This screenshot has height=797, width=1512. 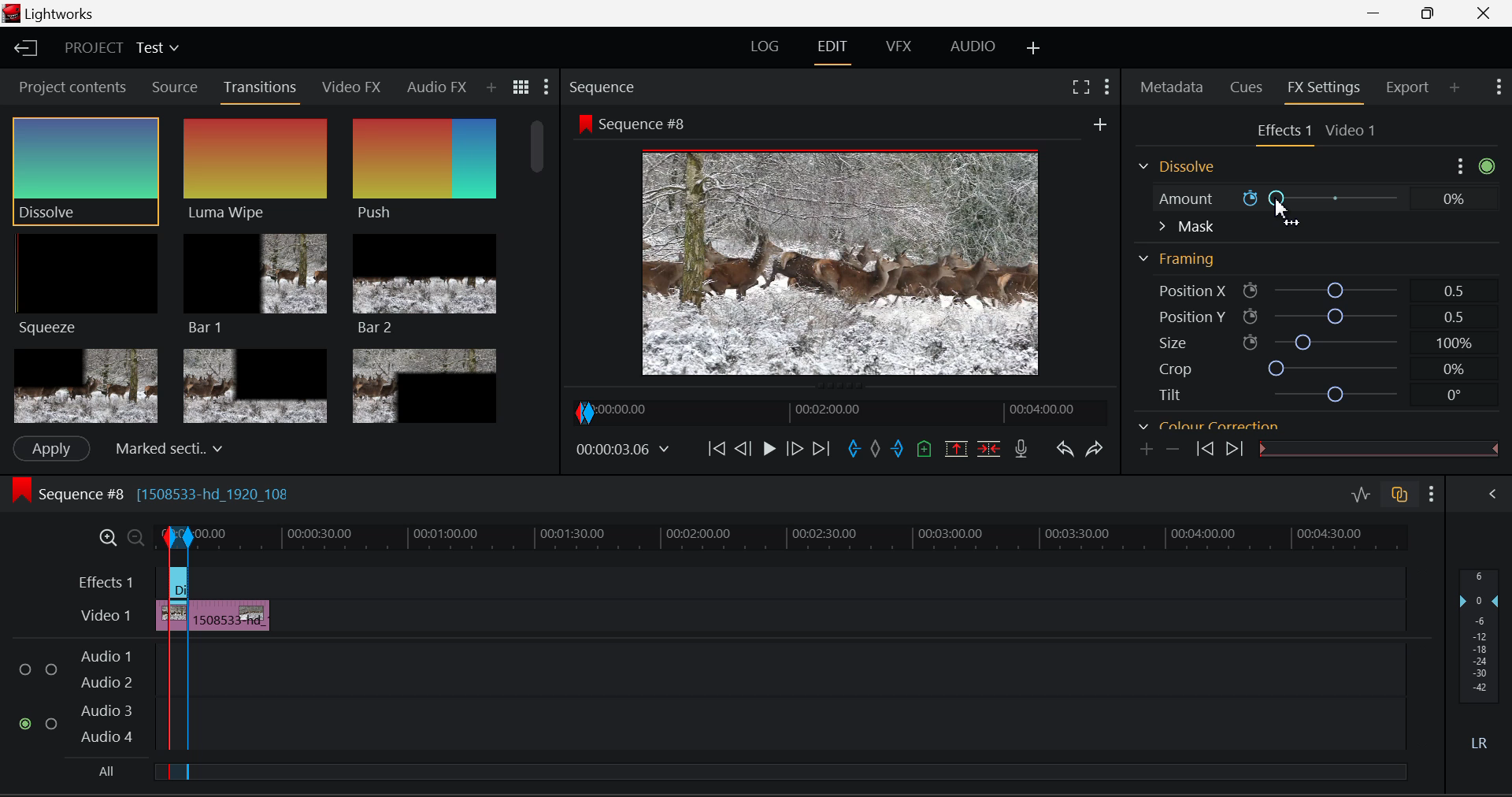 I want to click on Audio Input Checkbox, so click(x=27, y=664).